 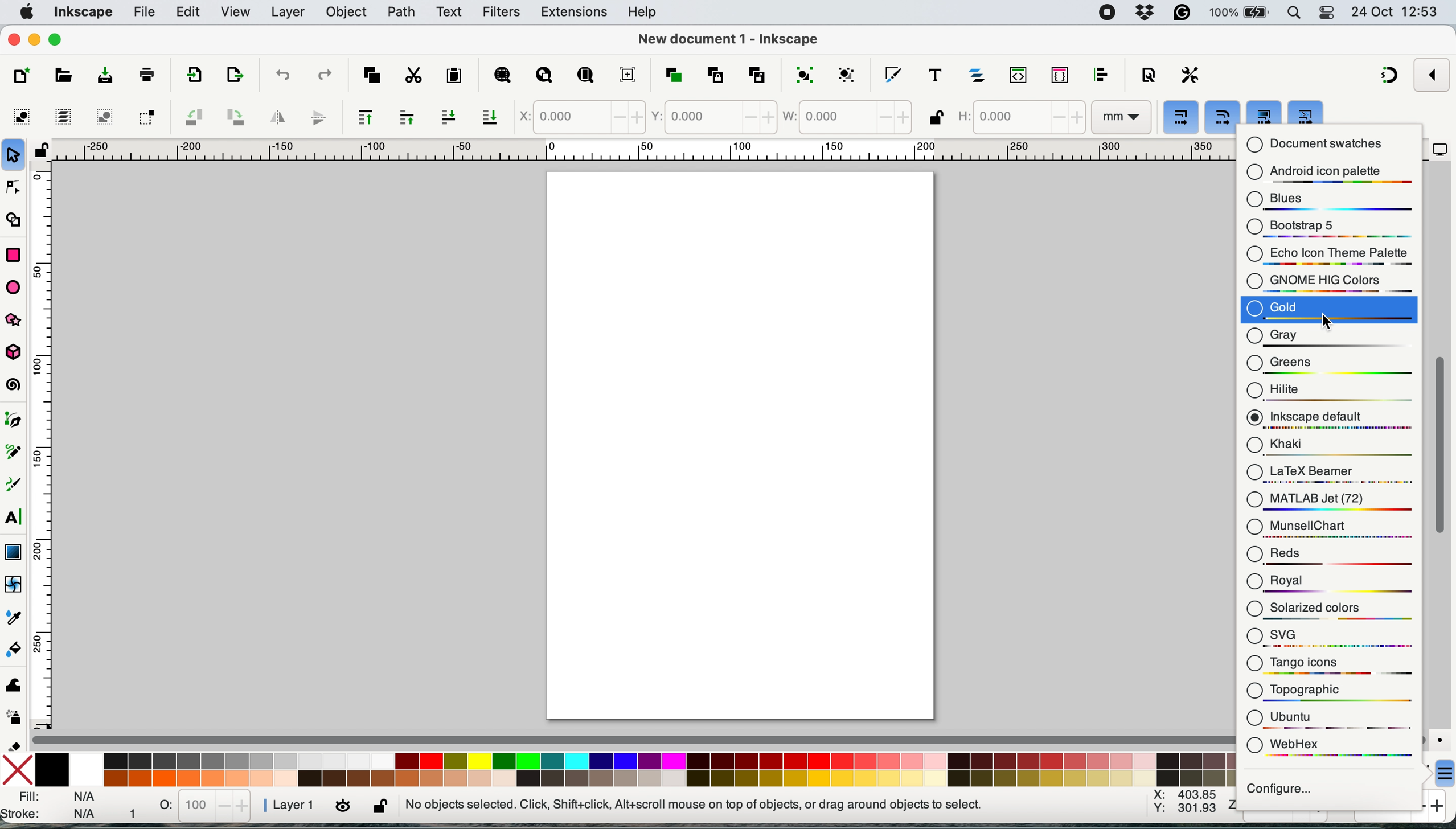 What do you see at coordinates (323, 76) in the screenshot?
I see `redo` at bounding box center [323, 76].